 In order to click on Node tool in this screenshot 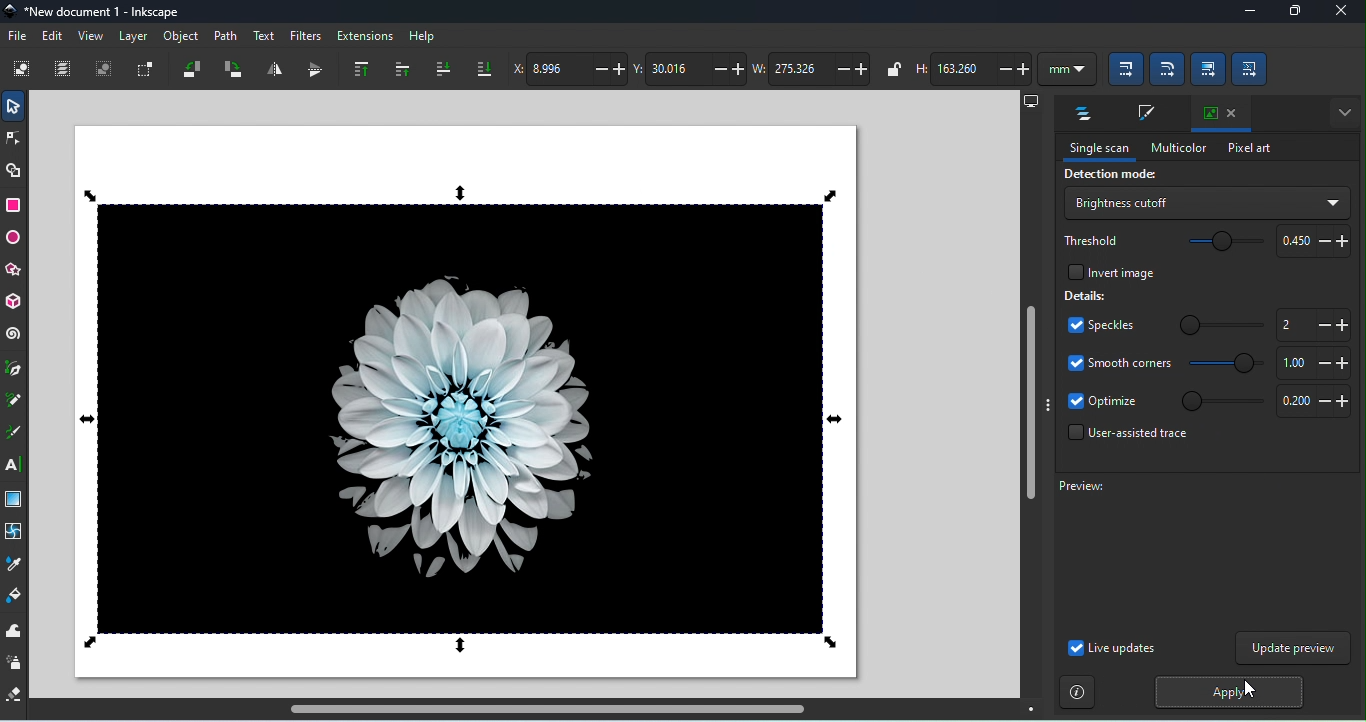, I will do `click(16, 137)`.